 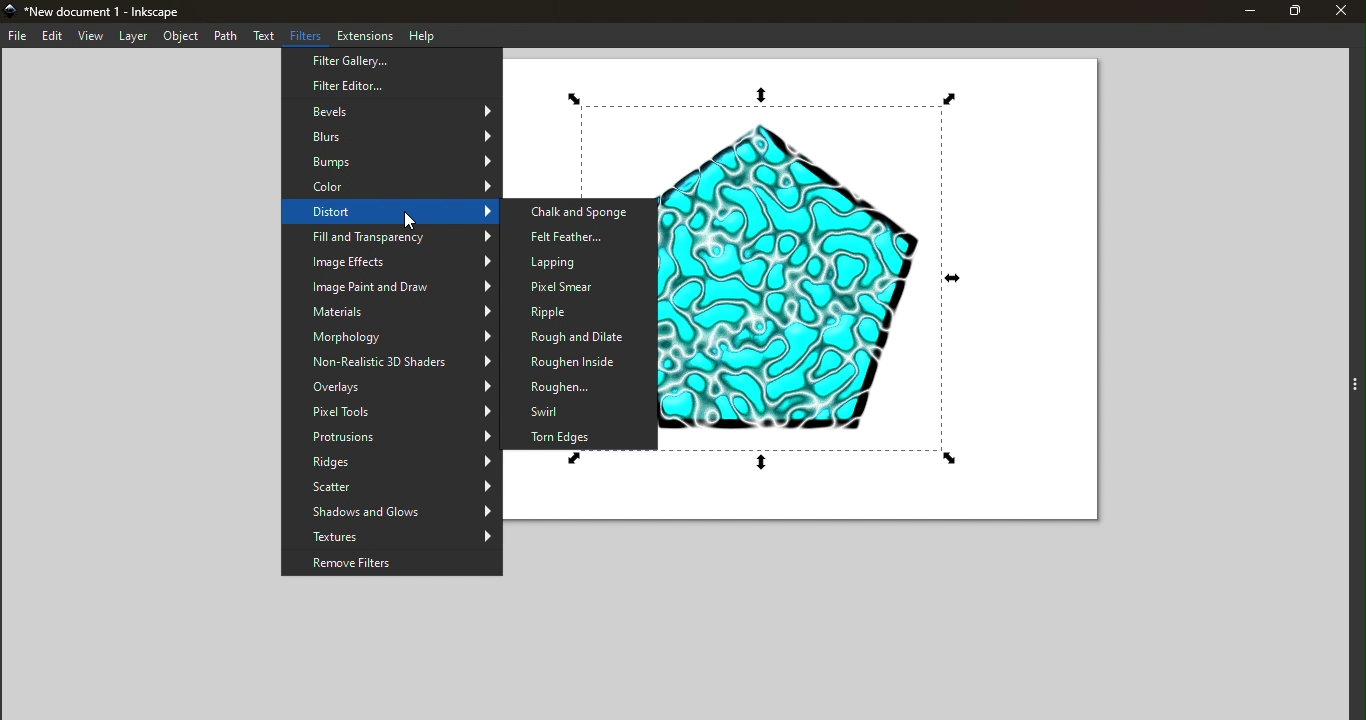 I want to click on Blurs, so click(x=391, y=137).